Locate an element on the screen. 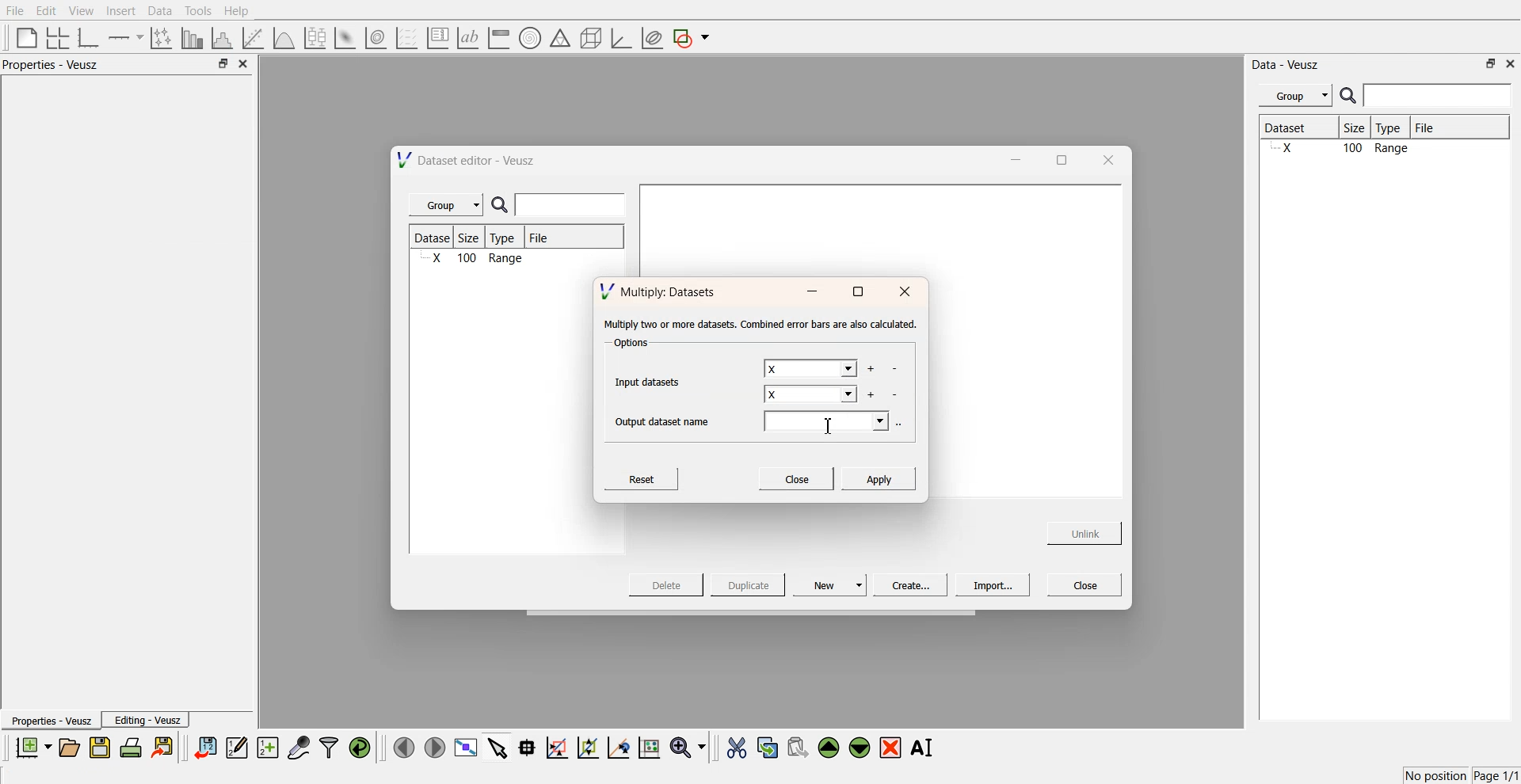 This screenshot has height=784, width=1521. text label is located at coordinates (466, 38).